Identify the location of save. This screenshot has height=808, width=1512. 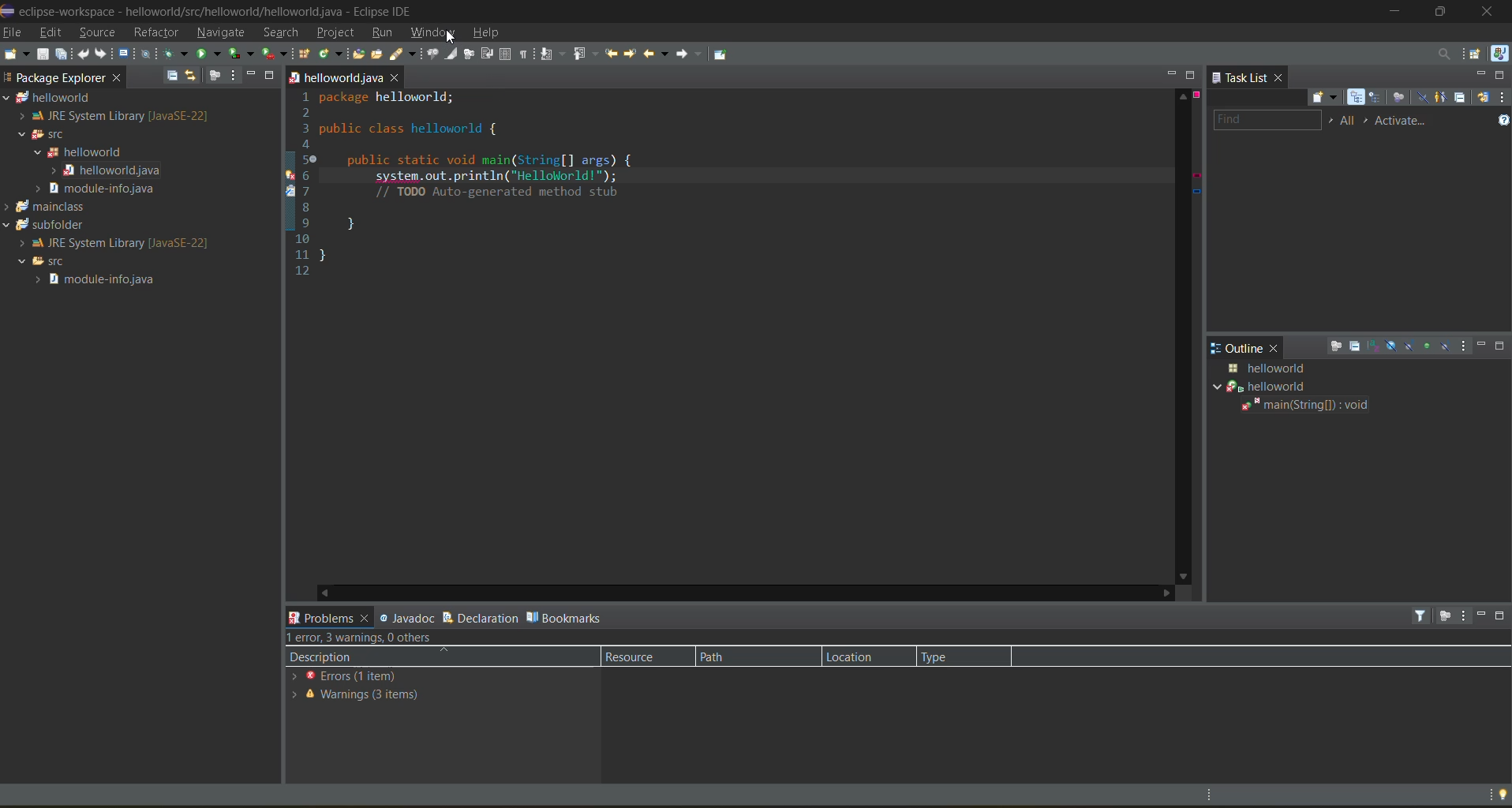
(42, 54).